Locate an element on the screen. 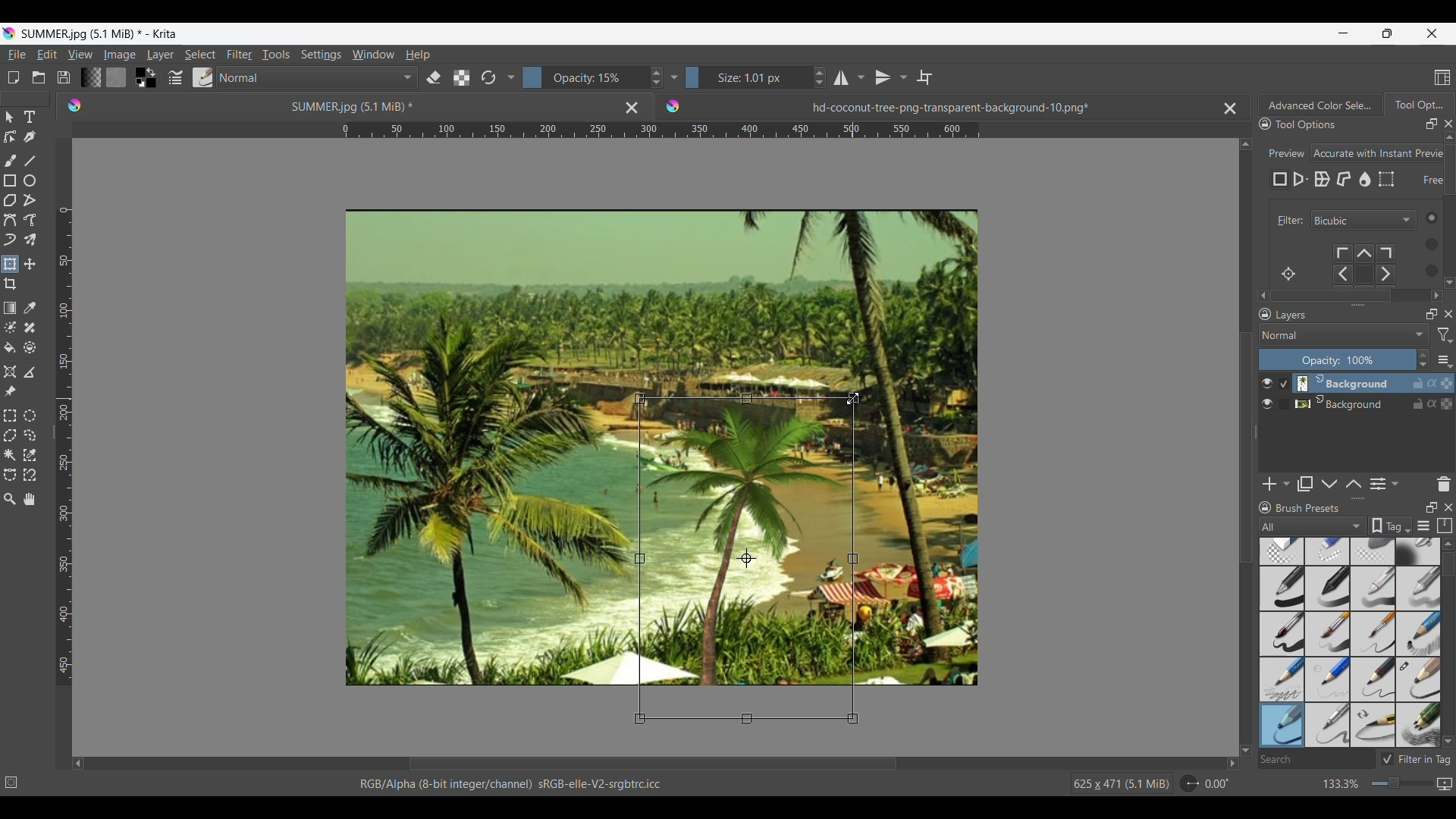  Maximize is located at coordinates (1447, 380).